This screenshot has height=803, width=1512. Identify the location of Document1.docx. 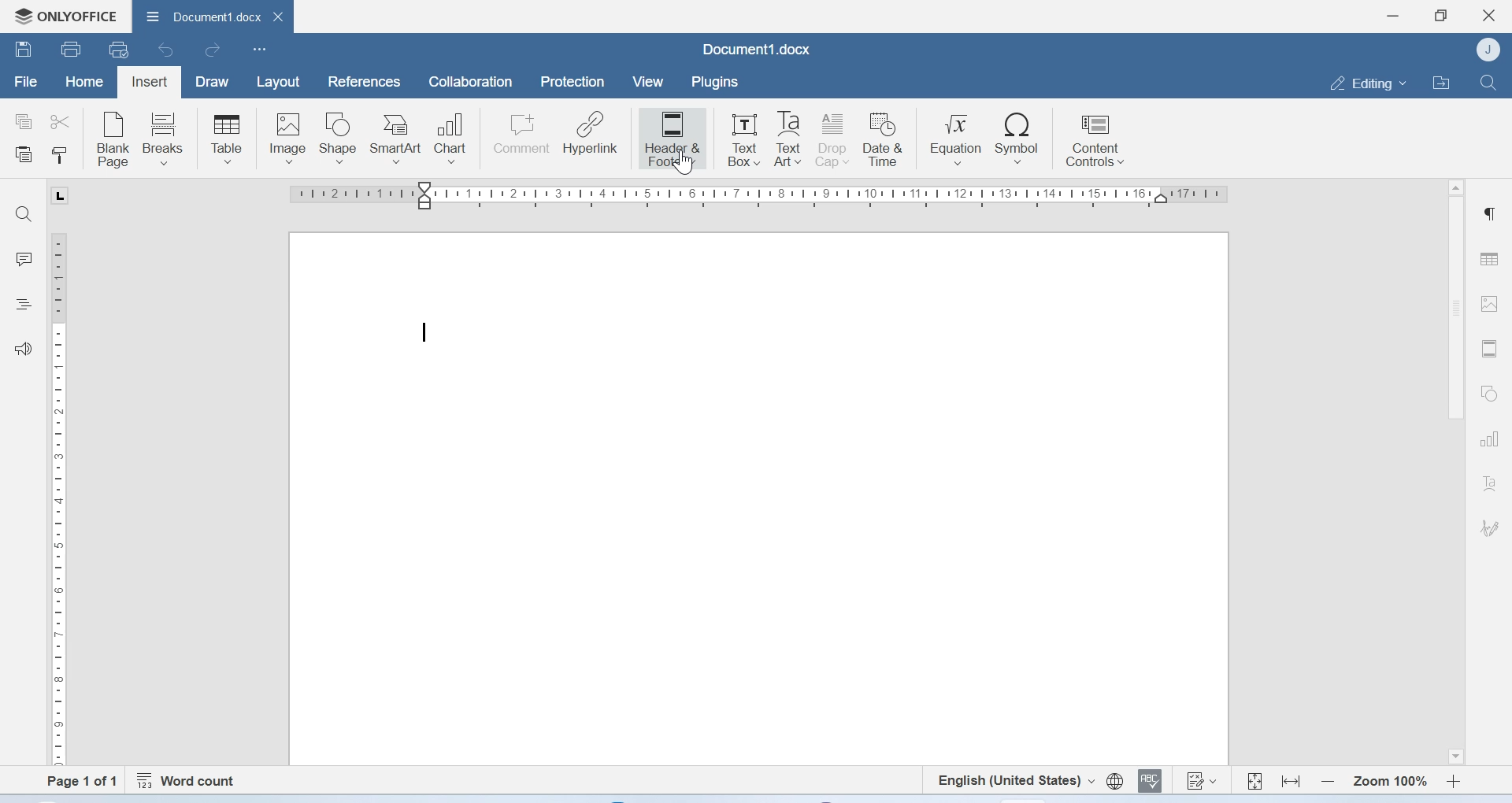
(756, 49).